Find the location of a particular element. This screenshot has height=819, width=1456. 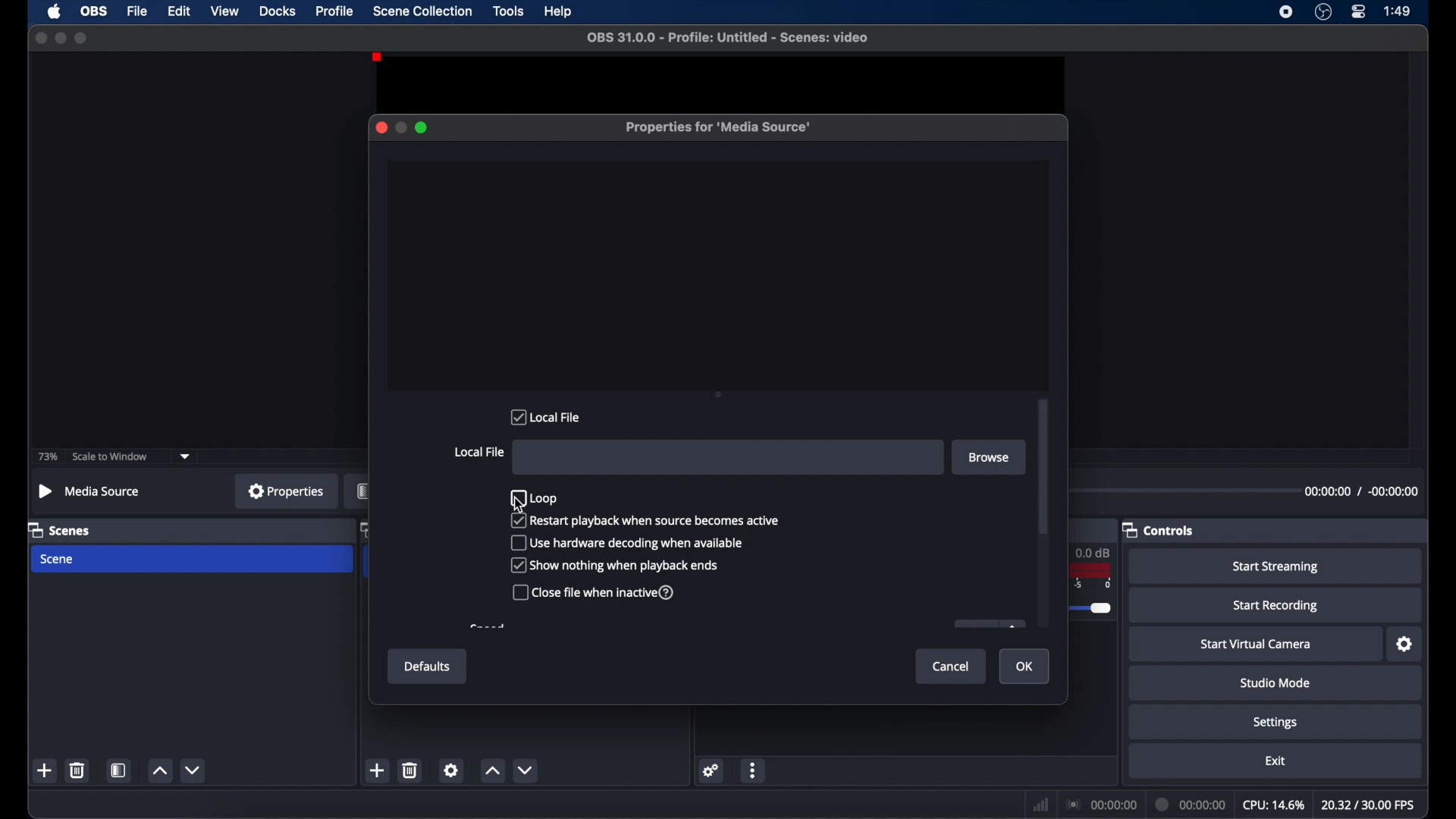

view is located at coordinates (224, 11).